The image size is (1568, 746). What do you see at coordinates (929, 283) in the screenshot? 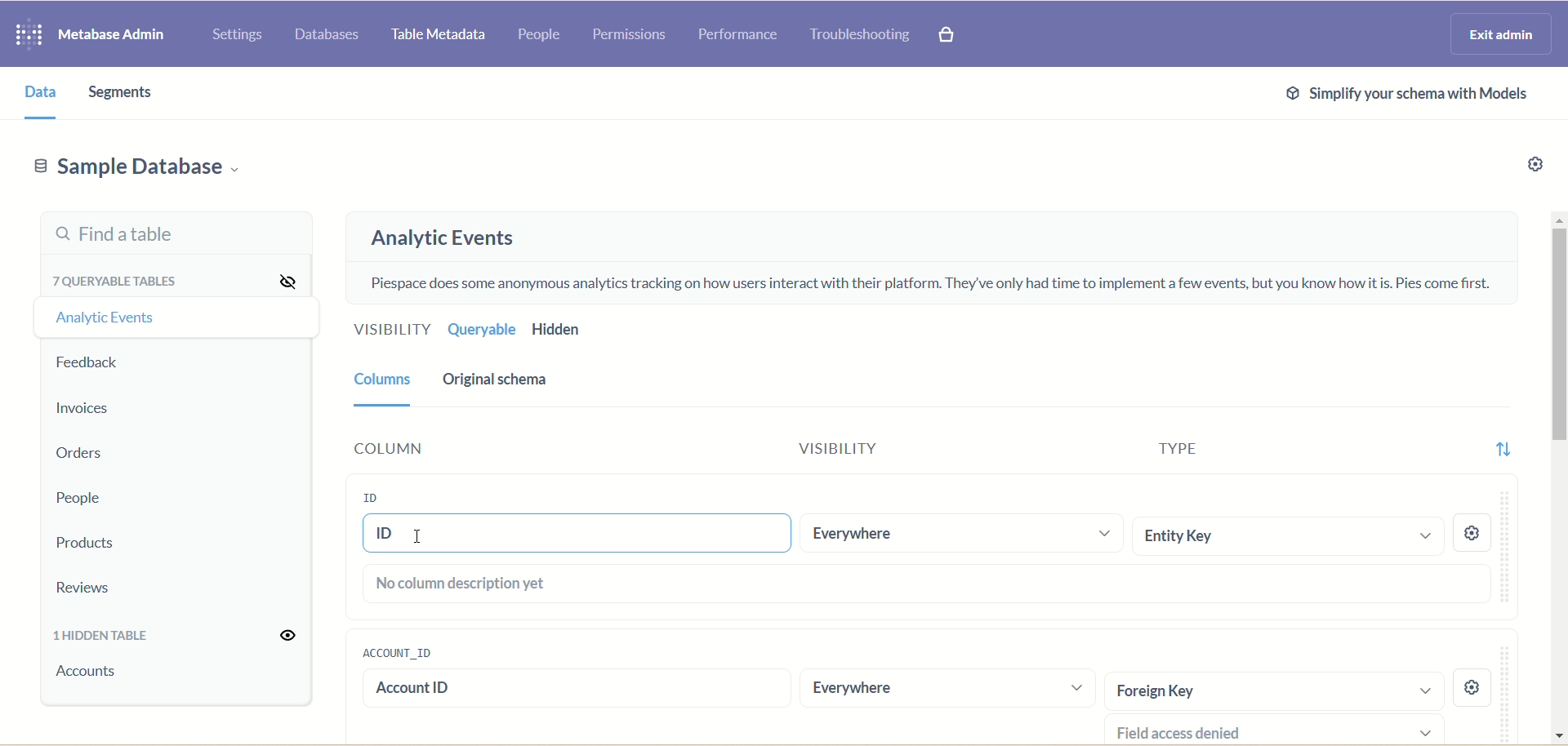
I see `Piespace does some anonymous analytics tracking on how users interact with their platform. They've only had time to implement a few events, but you know how it is. Pies come first.` at bounding box center [929, 283].